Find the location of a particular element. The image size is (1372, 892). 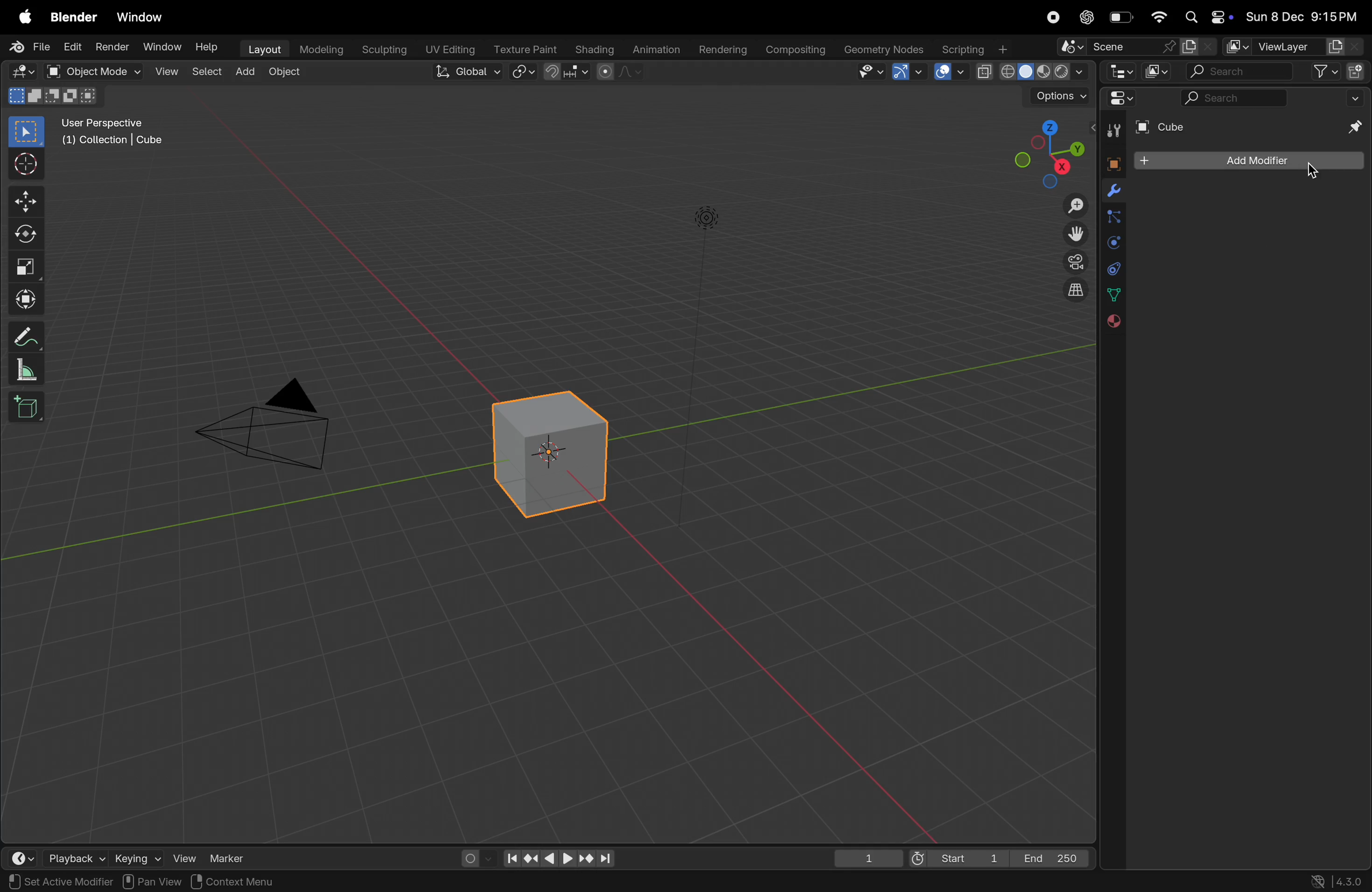

show overlays is located at coordinates (949, 71).